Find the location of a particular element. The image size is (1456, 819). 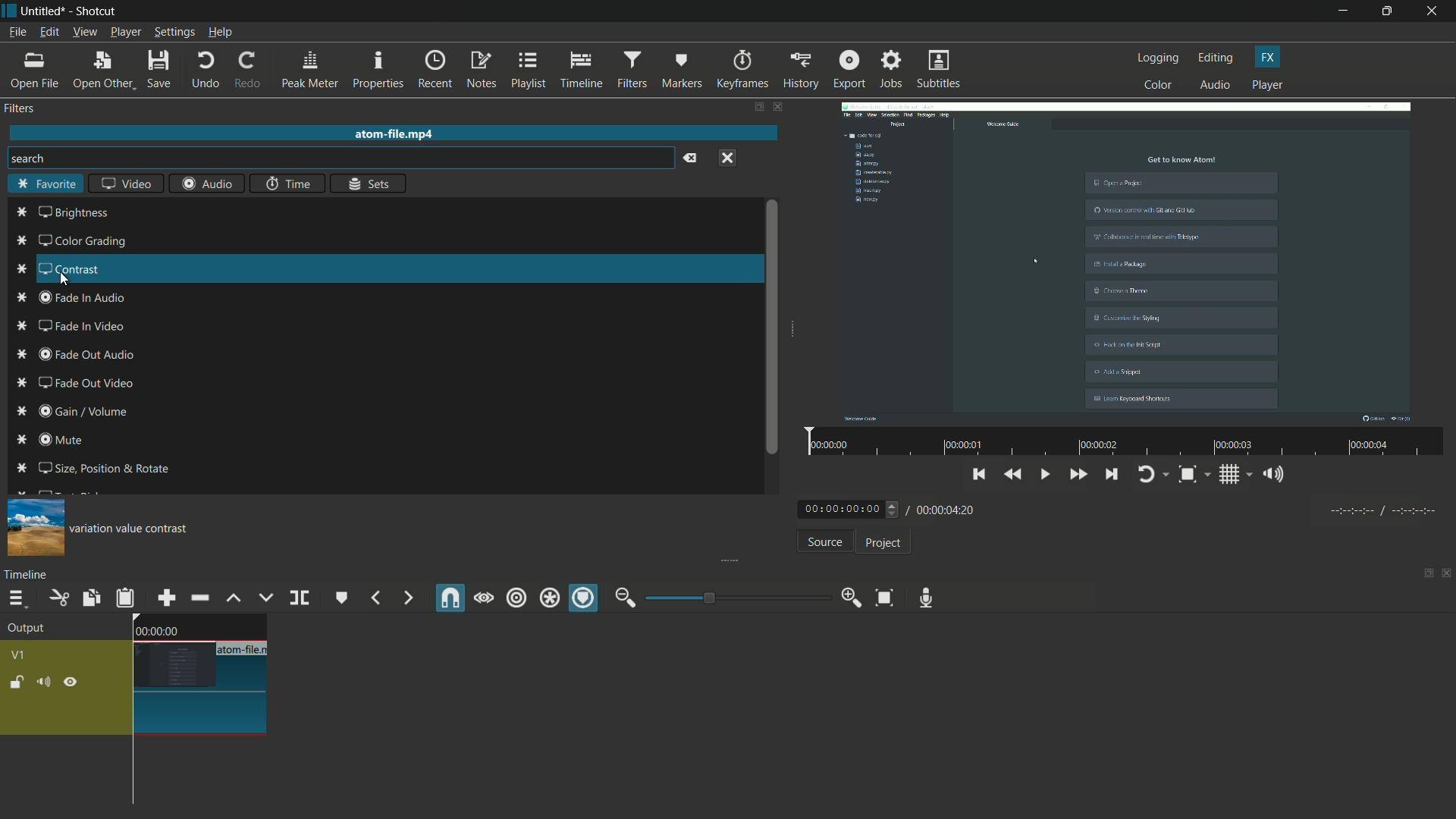

color is located at coordinates (1159, 84).